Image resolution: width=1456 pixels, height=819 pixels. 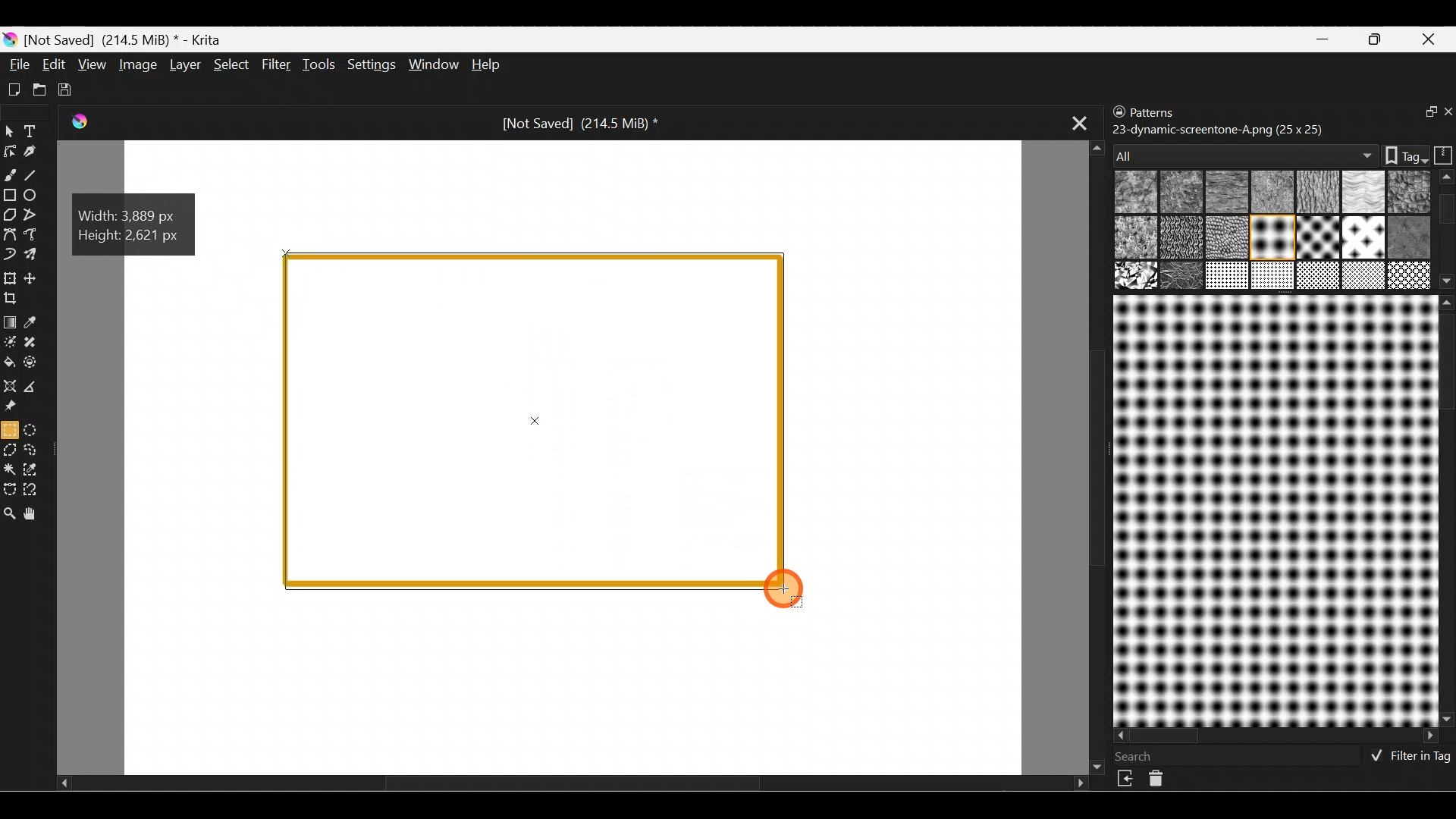 I want to click on 19 texture_vegetal.png, so click(x=1407, y=275).